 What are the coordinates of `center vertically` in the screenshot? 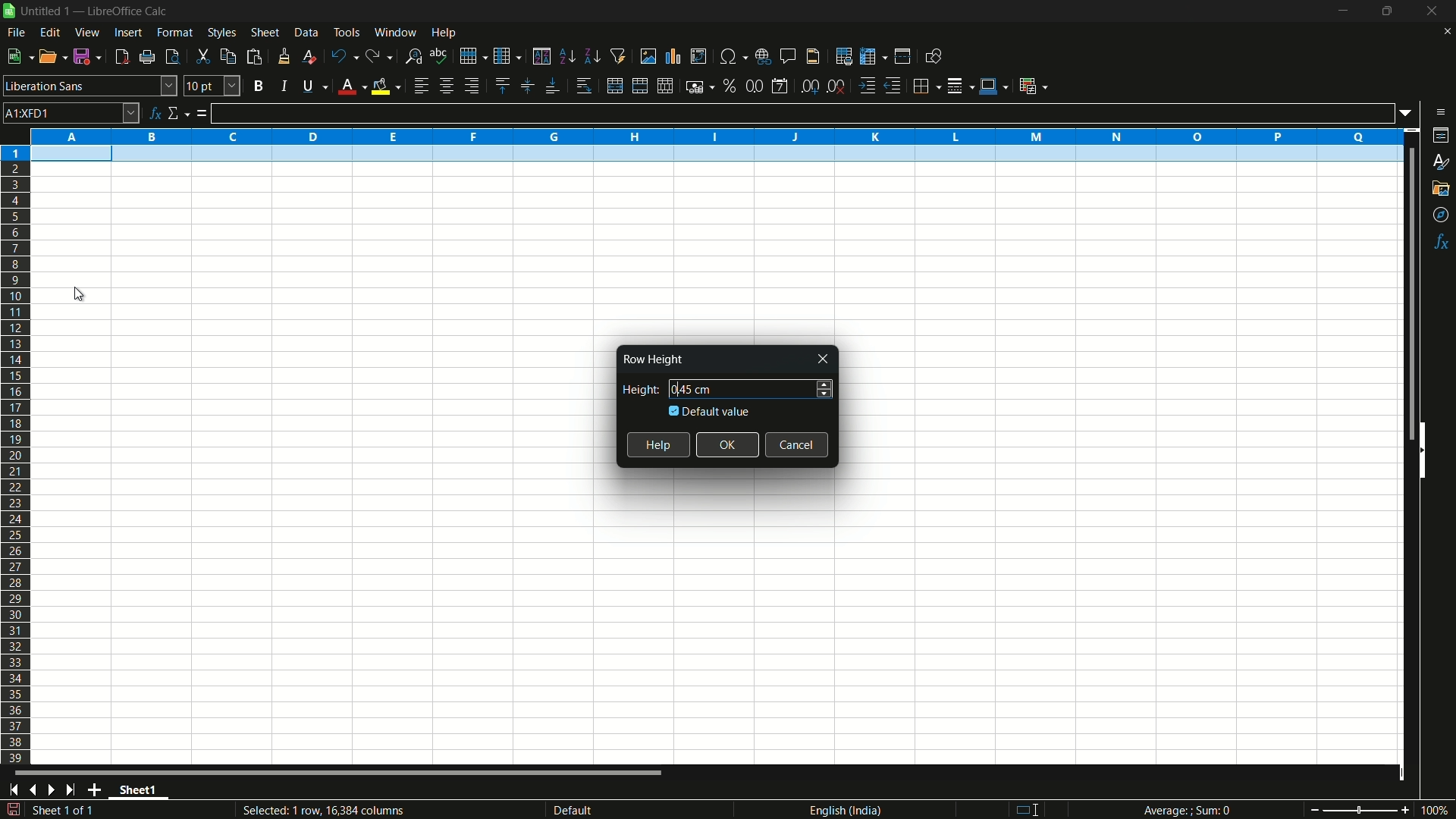 It's located at (526, 86).